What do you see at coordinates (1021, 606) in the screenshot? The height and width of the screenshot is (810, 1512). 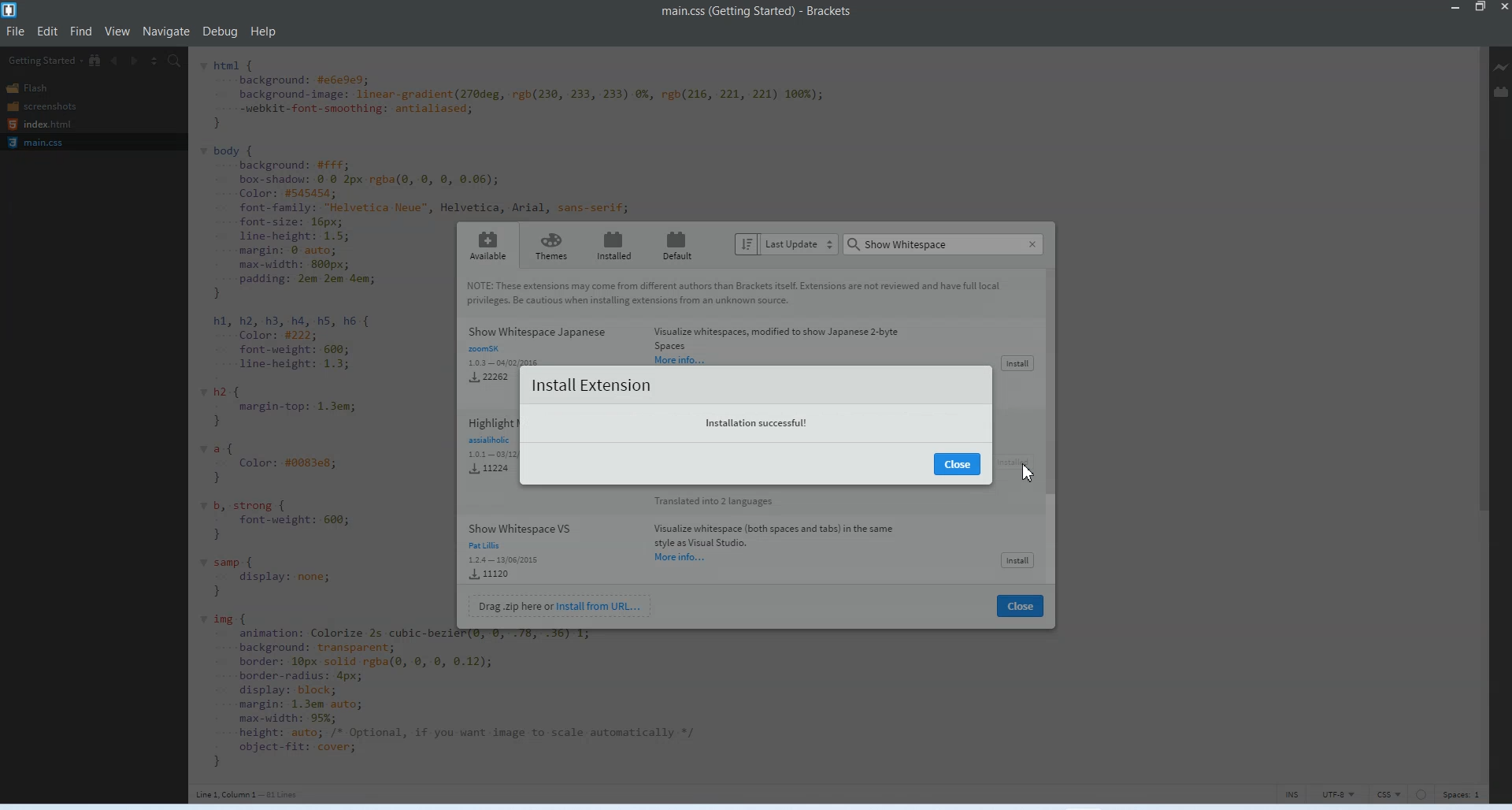 I see `Close` at bounding box center [1021, 606].